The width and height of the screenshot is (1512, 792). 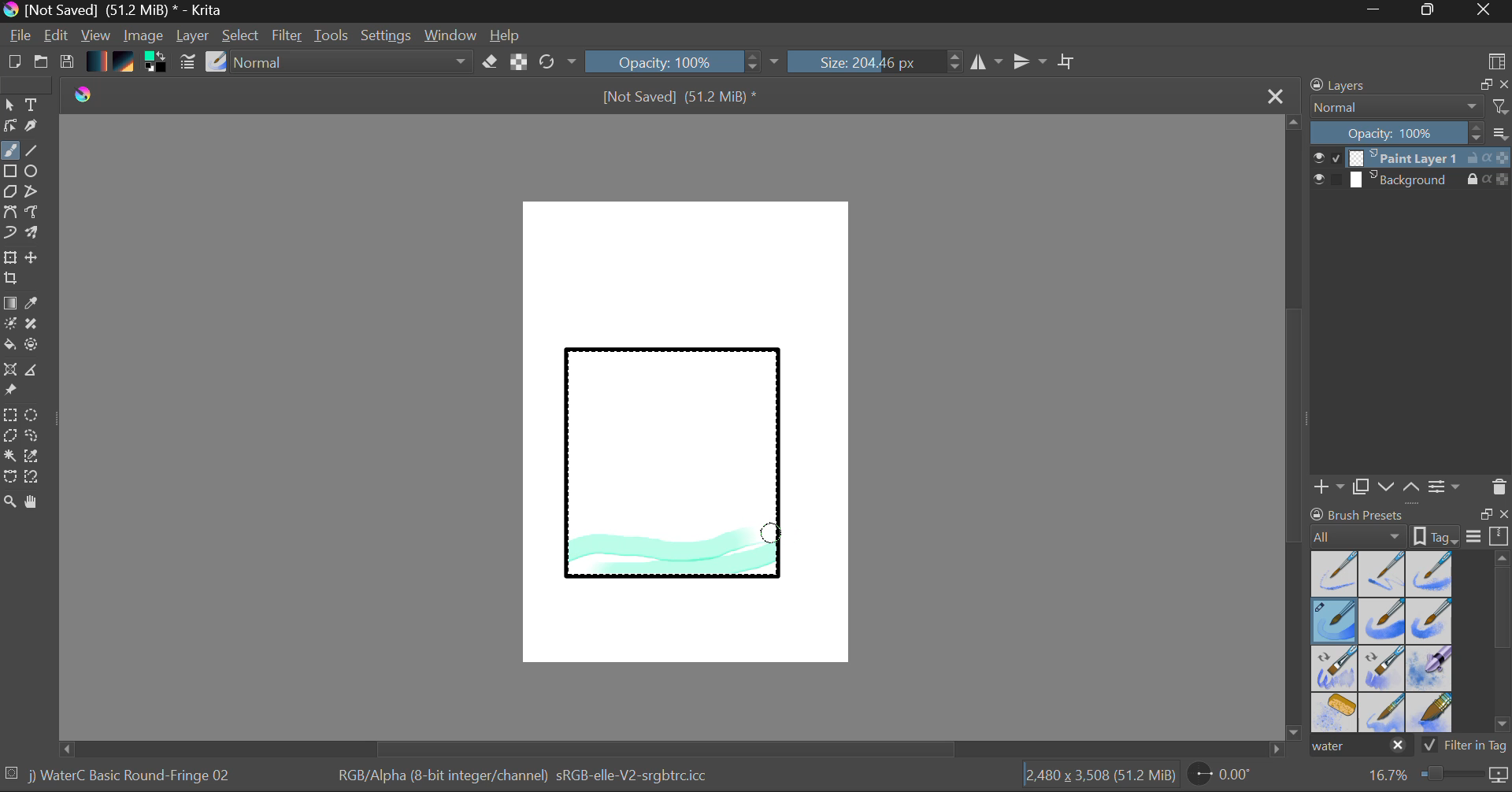 I want to click on Water C - Grain Tilt, so click(x=1336, y=668).